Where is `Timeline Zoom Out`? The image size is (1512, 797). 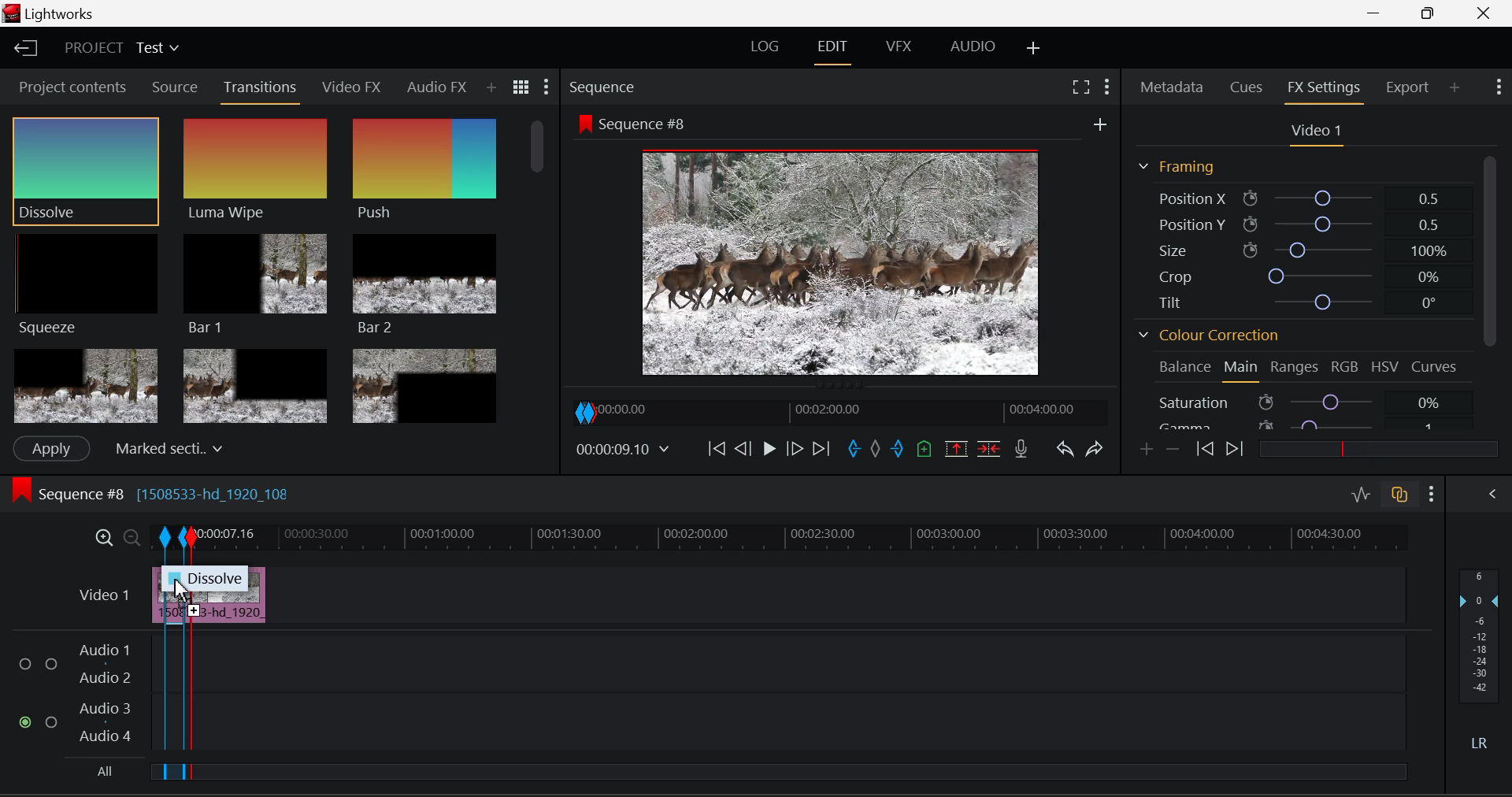 Timeline Zoom Out is located at coordinates (129, 535).